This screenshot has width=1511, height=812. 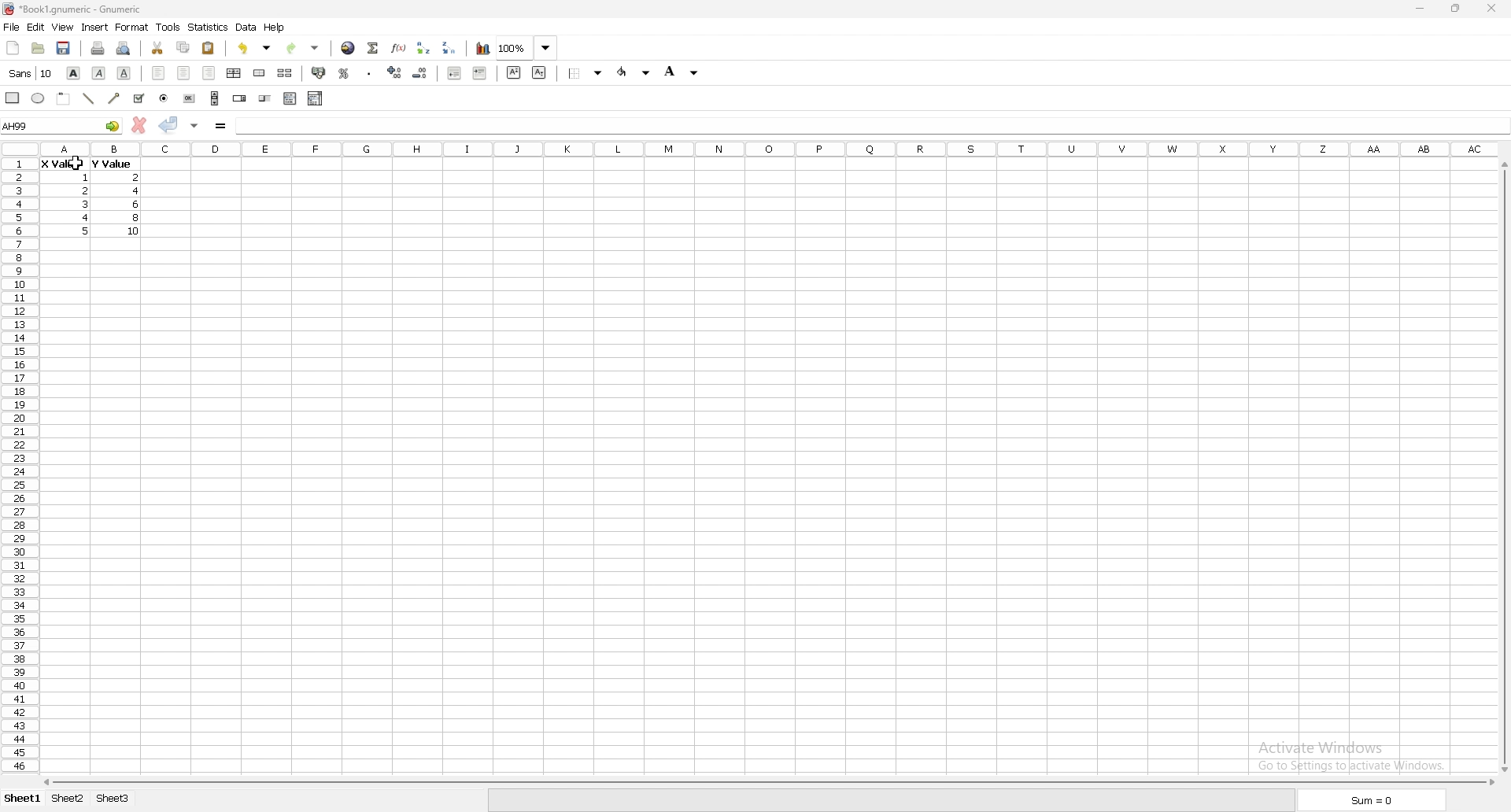 I want to click on tools, so click(x=168, y=27).